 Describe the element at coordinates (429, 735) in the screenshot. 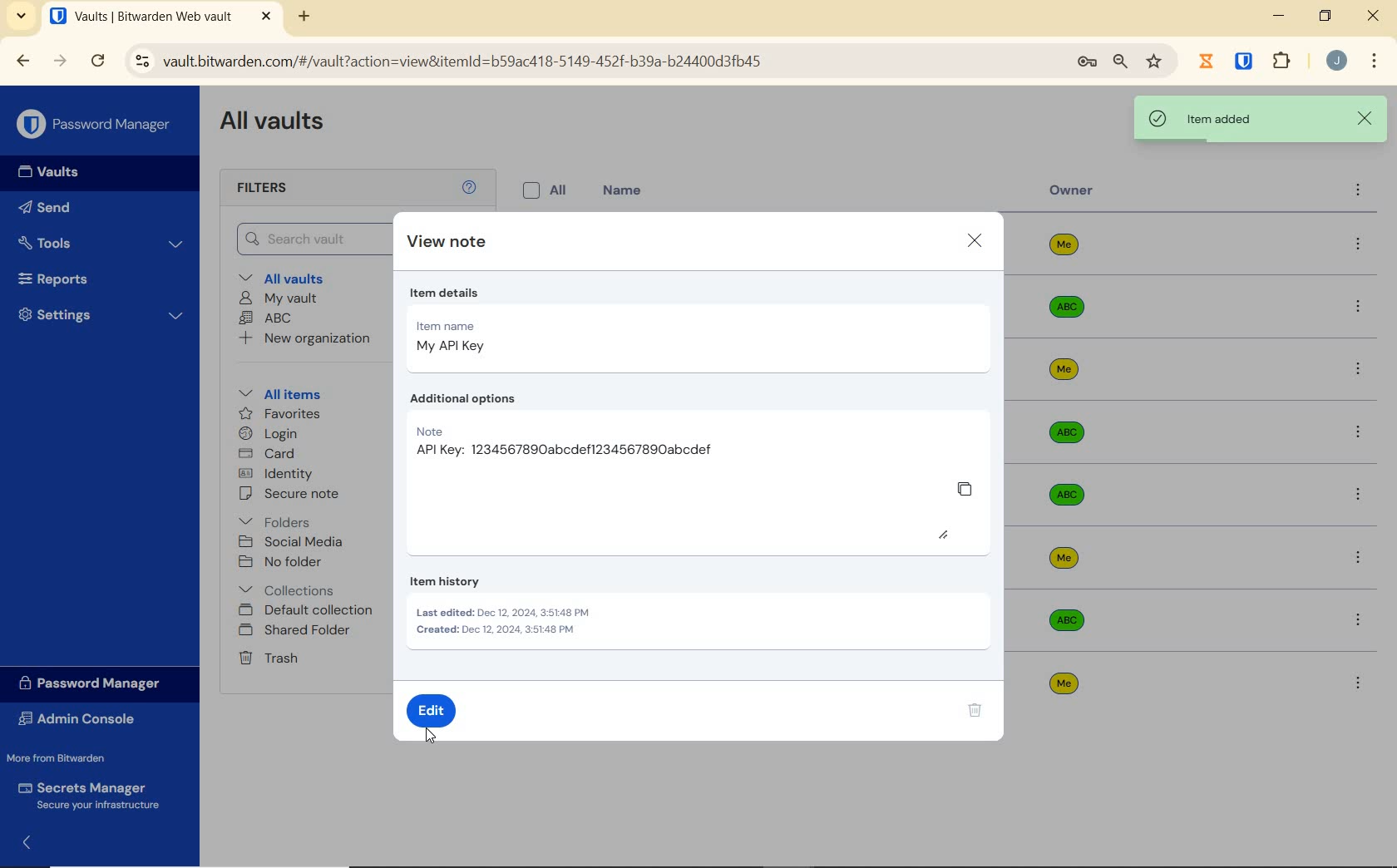

I see `cursor` at that location.